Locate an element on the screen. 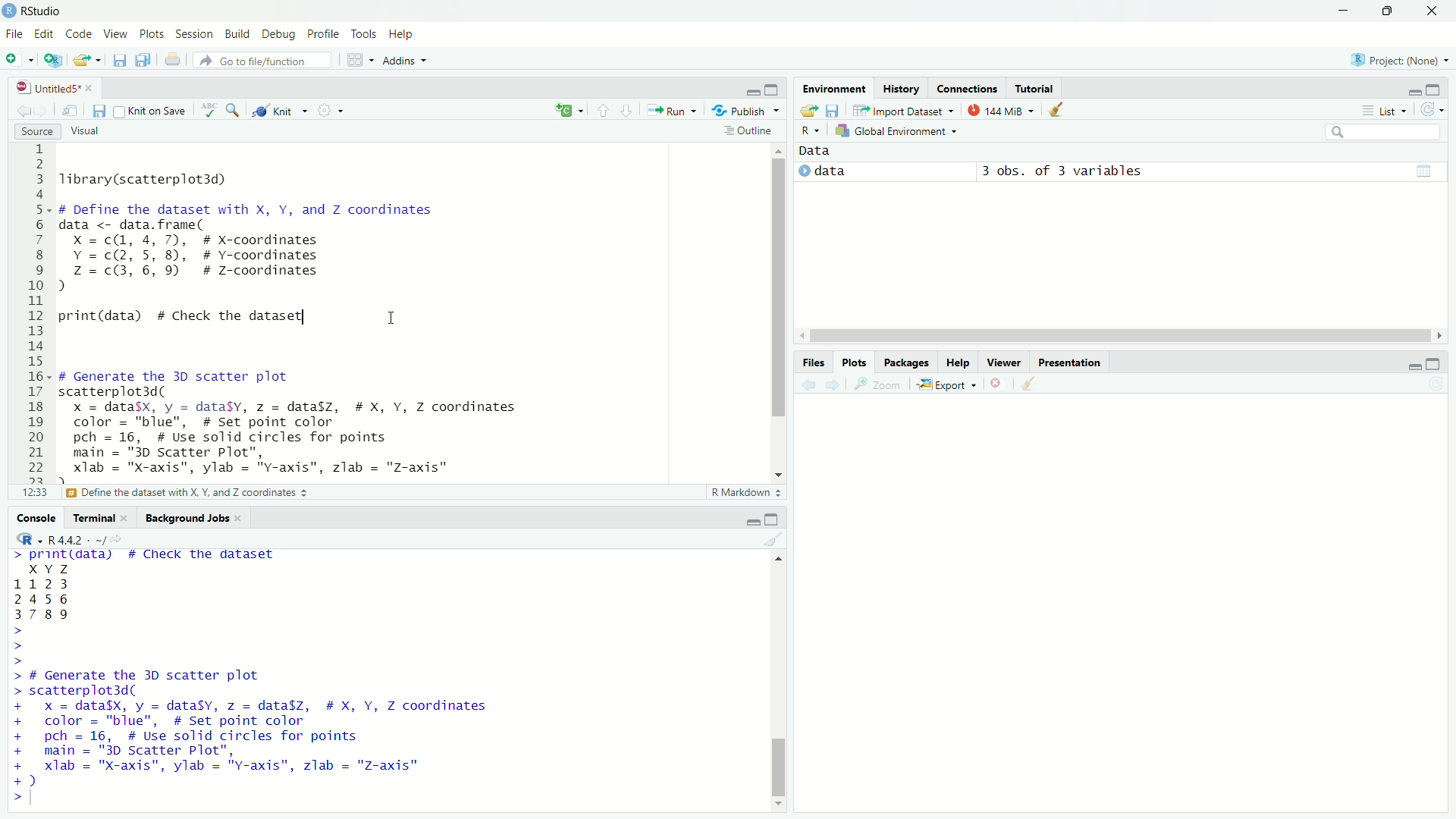 The image size is (1456, 819). minimize is located at coordinates (1341, 11).